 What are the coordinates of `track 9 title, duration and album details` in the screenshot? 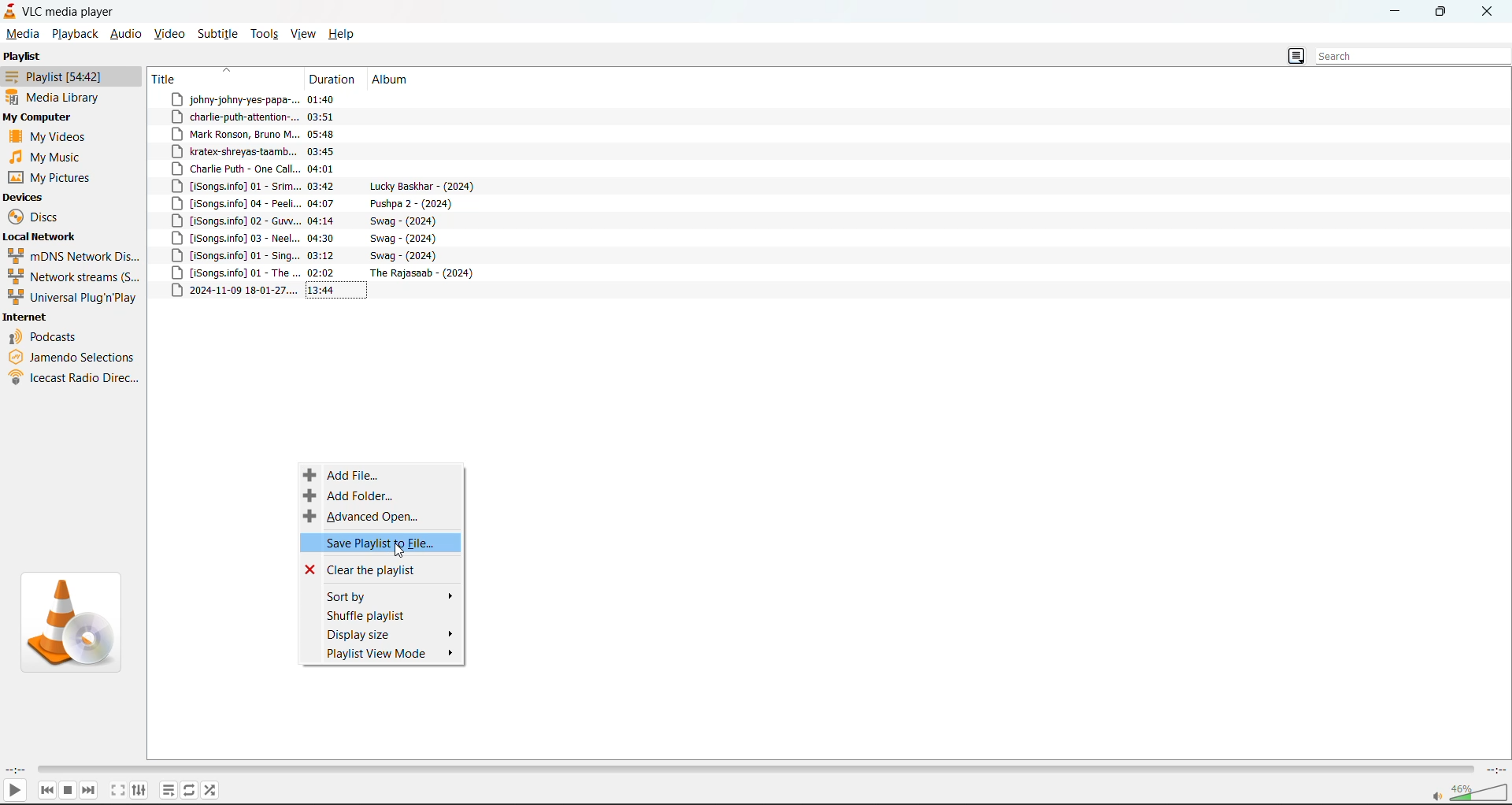 It's located at (313, 238).